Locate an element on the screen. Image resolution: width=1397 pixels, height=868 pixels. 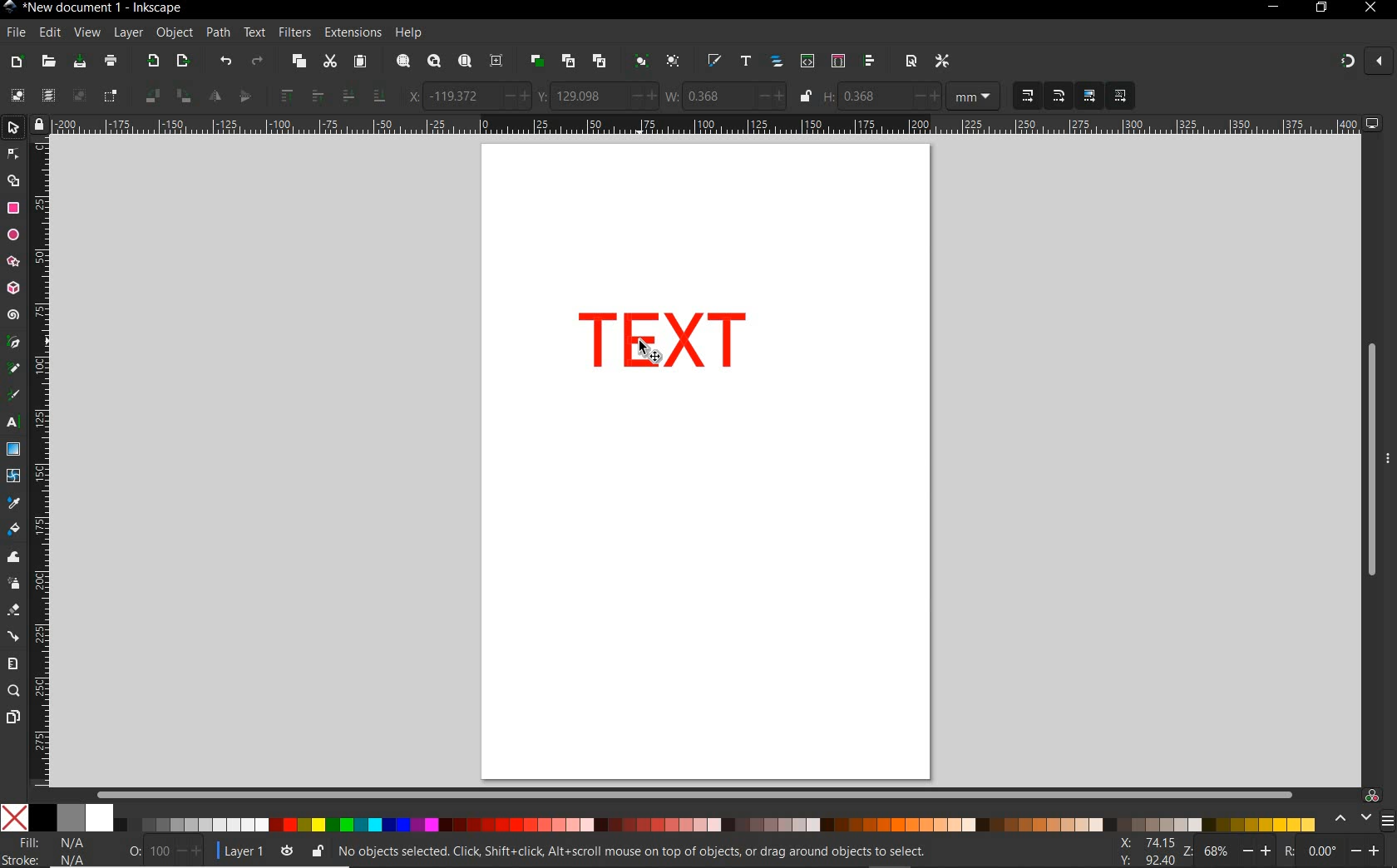
ZOOM CENTER PAGE is located at coordinates (496, 62).